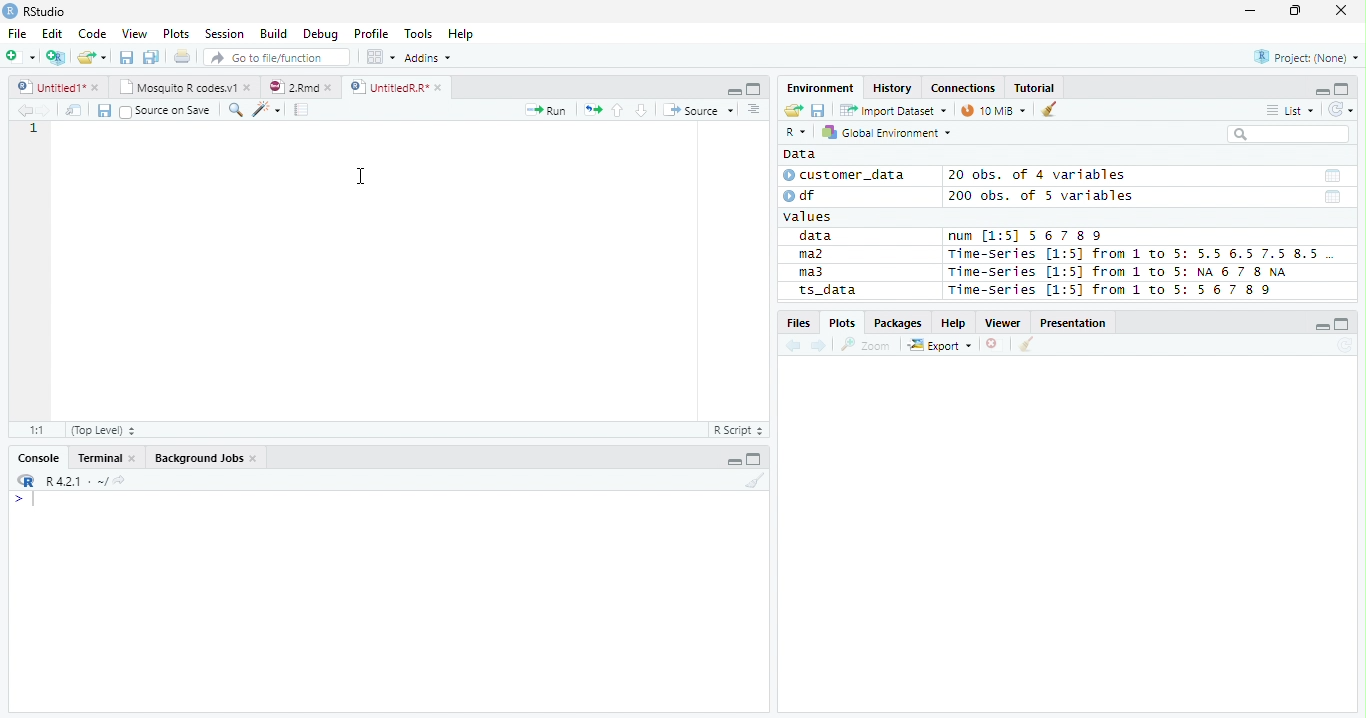 The height and width of the screenshot is (718, 1366). What do you see at coordinates (753, 88) in the screenshot?
I see `Maximize` at bounding box center [753, 88].